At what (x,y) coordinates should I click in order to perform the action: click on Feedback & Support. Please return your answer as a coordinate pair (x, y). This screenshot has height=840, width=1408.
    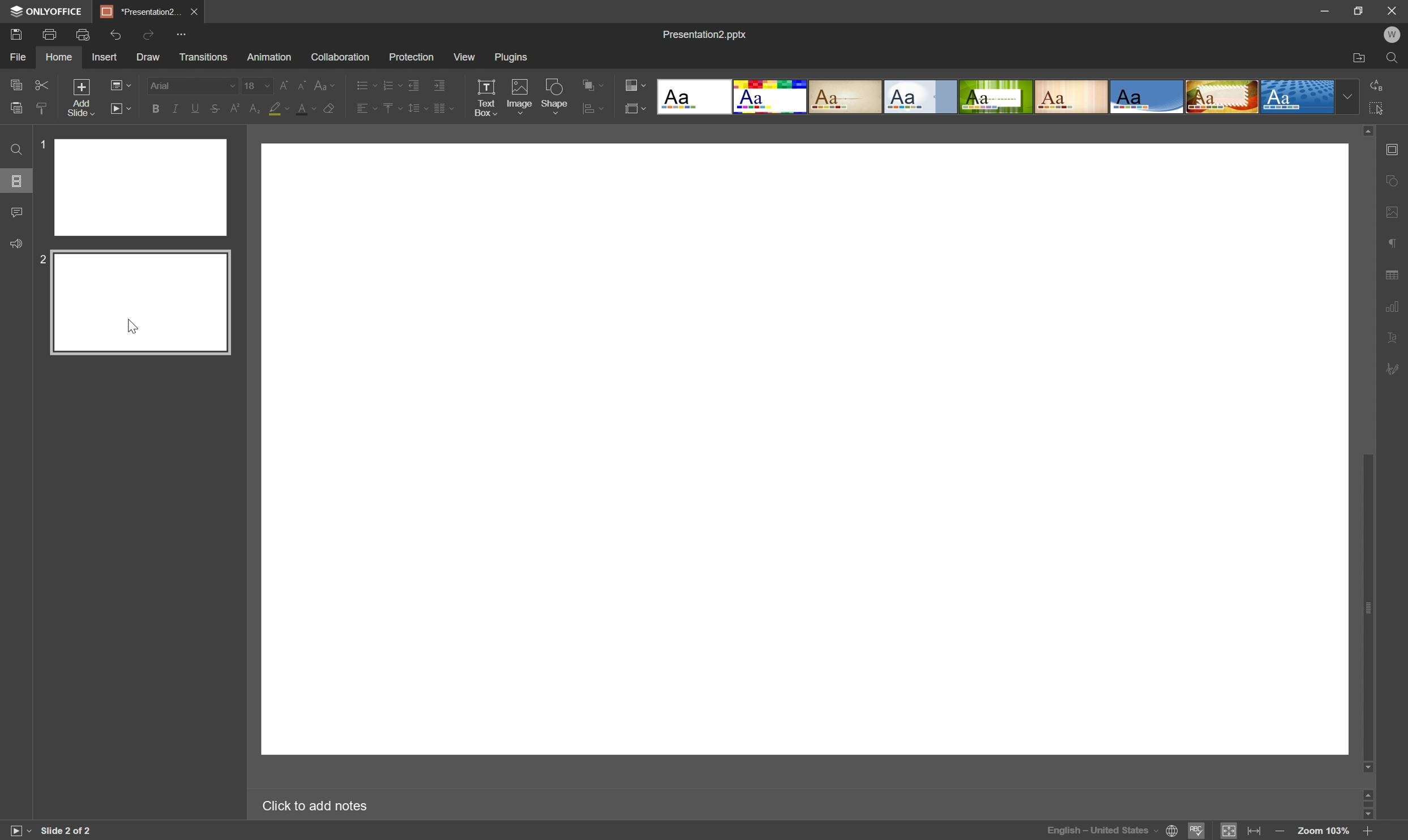
    Looking at the image, I should click on (18, 242).